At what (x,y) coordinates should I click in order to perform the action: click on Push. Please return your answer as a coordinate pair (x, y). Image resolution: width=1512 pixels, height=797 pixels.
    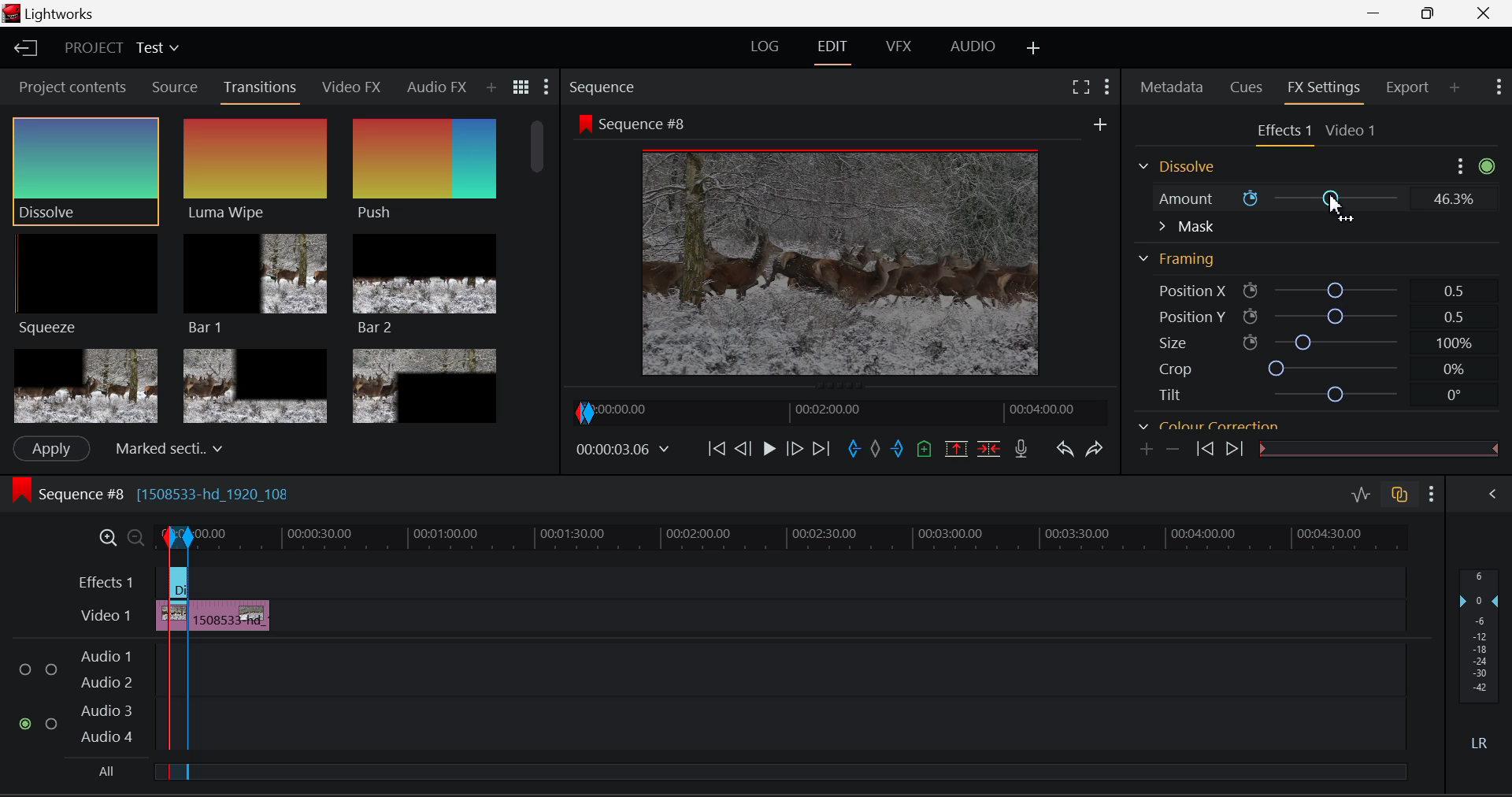
    Looking at the image, I should click on (424, 172).